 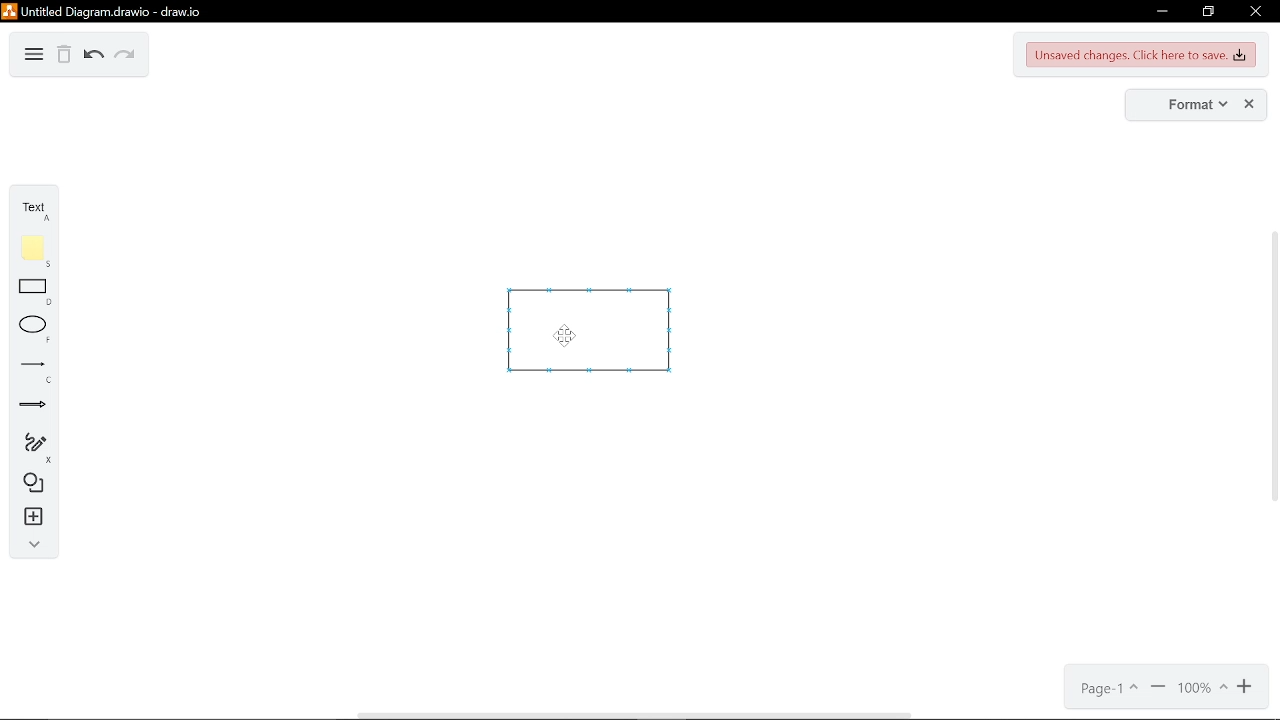 What do you see at coordinates (36, 517) in the screenshot?
I see `insert` at bounding box center [36, 517].